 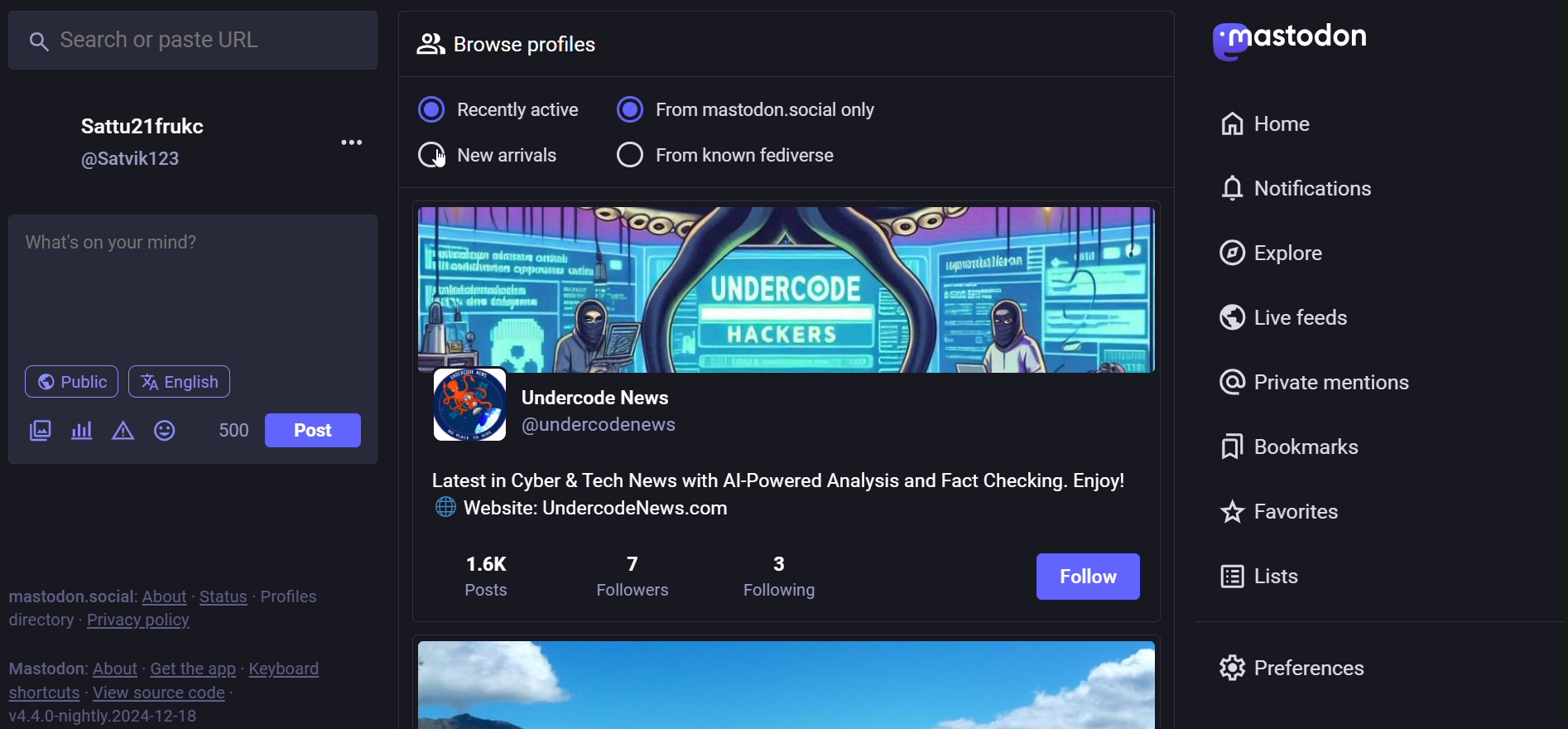 I want to click on 1.6K posts, so click(x=485, y=575).